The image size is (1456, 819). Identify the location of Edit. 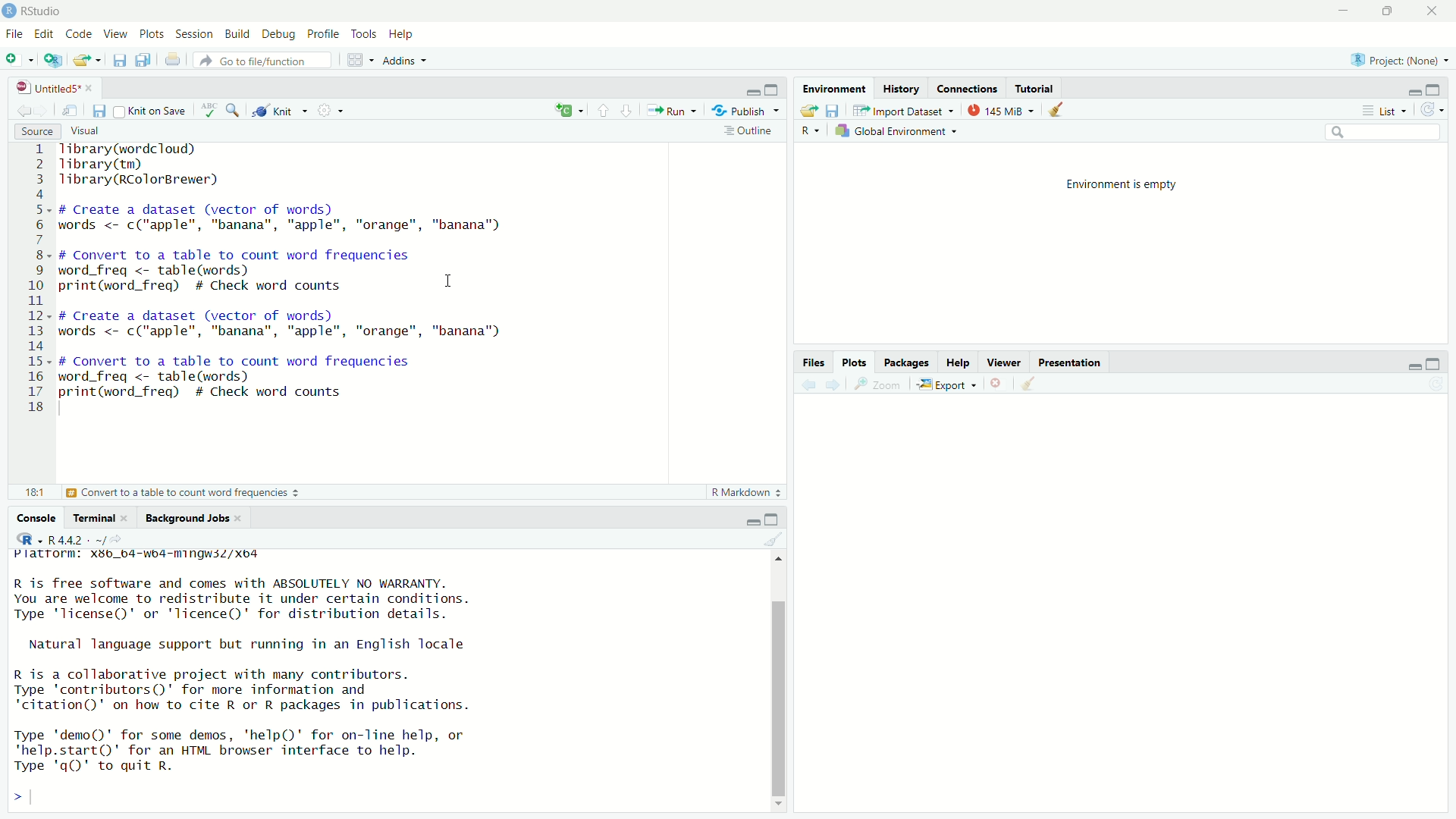
(45, 33).